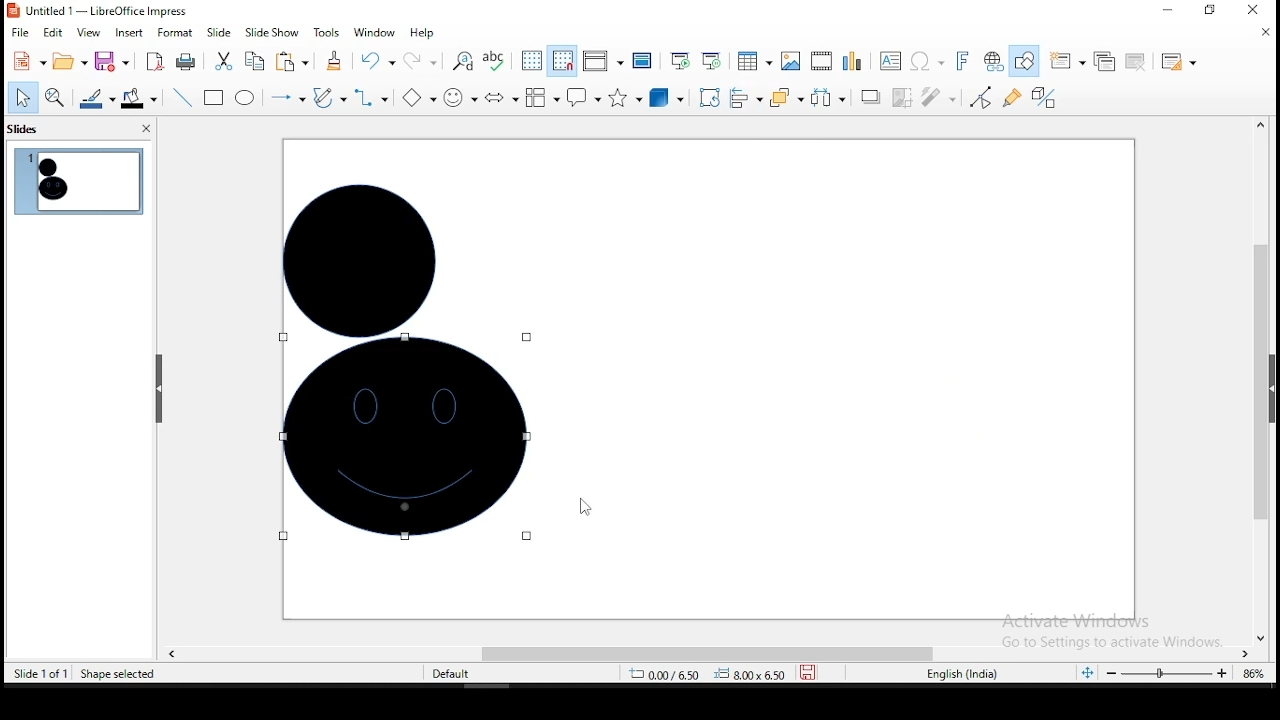  I want to click on export as PDF, so click(153, 62).